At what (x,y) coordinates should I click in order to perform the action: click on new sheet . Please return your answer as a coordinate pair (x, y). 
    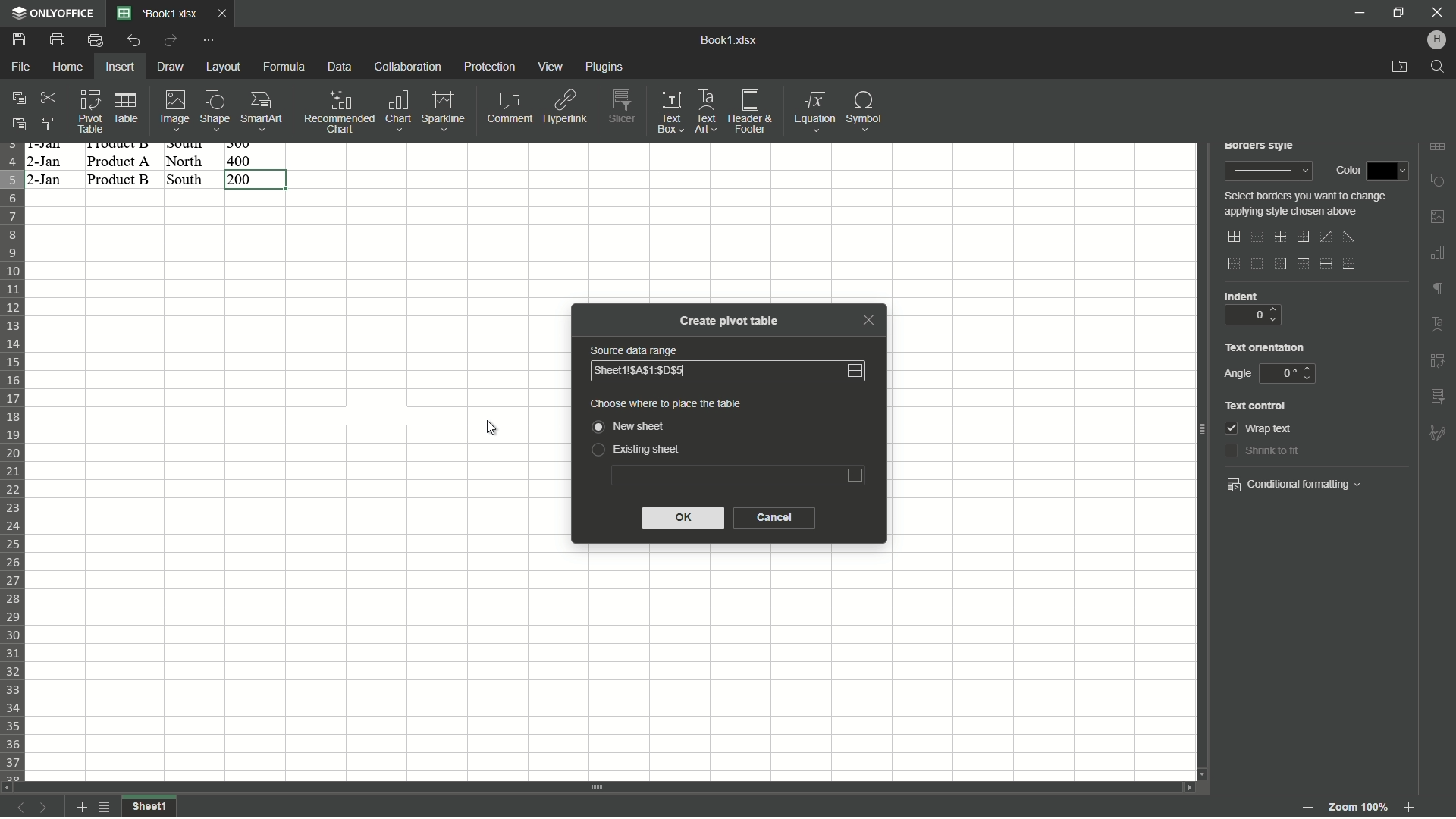
    Looking at the image, I should click on (636, 425).